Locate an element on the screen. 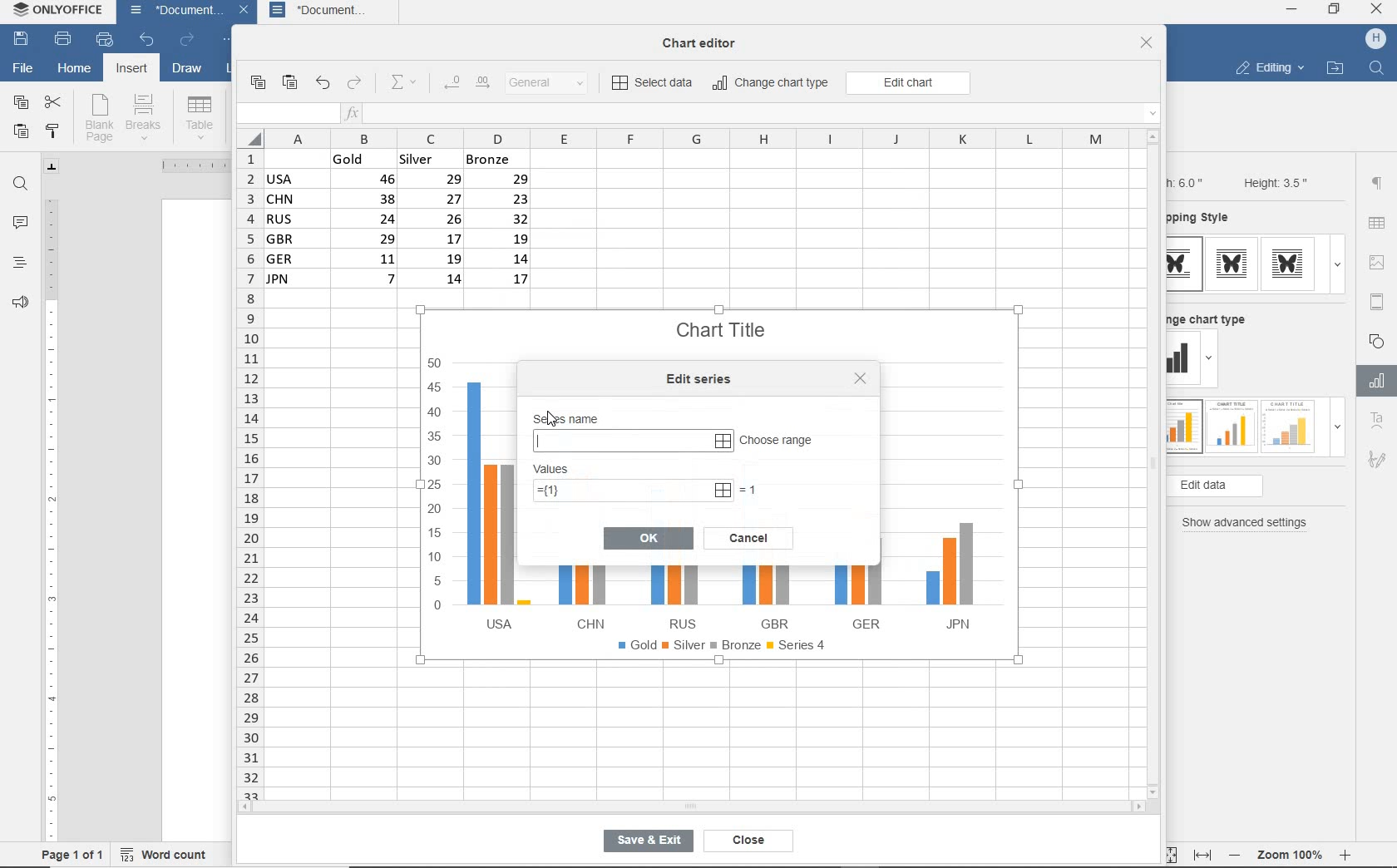  save is located at coordinates (22, 40).